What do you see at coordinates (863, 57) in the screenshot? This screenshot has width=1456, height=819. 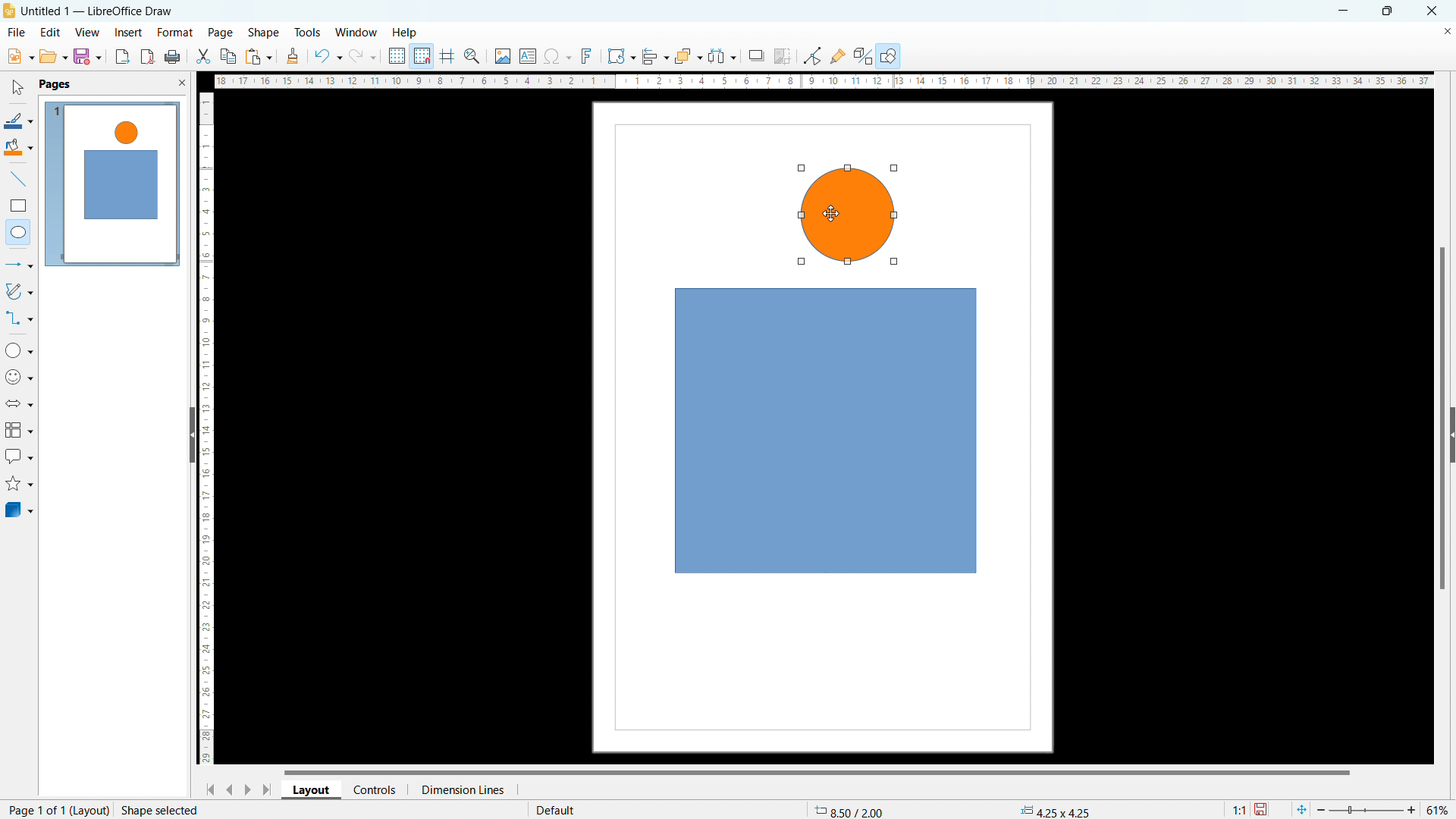 I see `show extrusion` at bounding box center [863, 57].